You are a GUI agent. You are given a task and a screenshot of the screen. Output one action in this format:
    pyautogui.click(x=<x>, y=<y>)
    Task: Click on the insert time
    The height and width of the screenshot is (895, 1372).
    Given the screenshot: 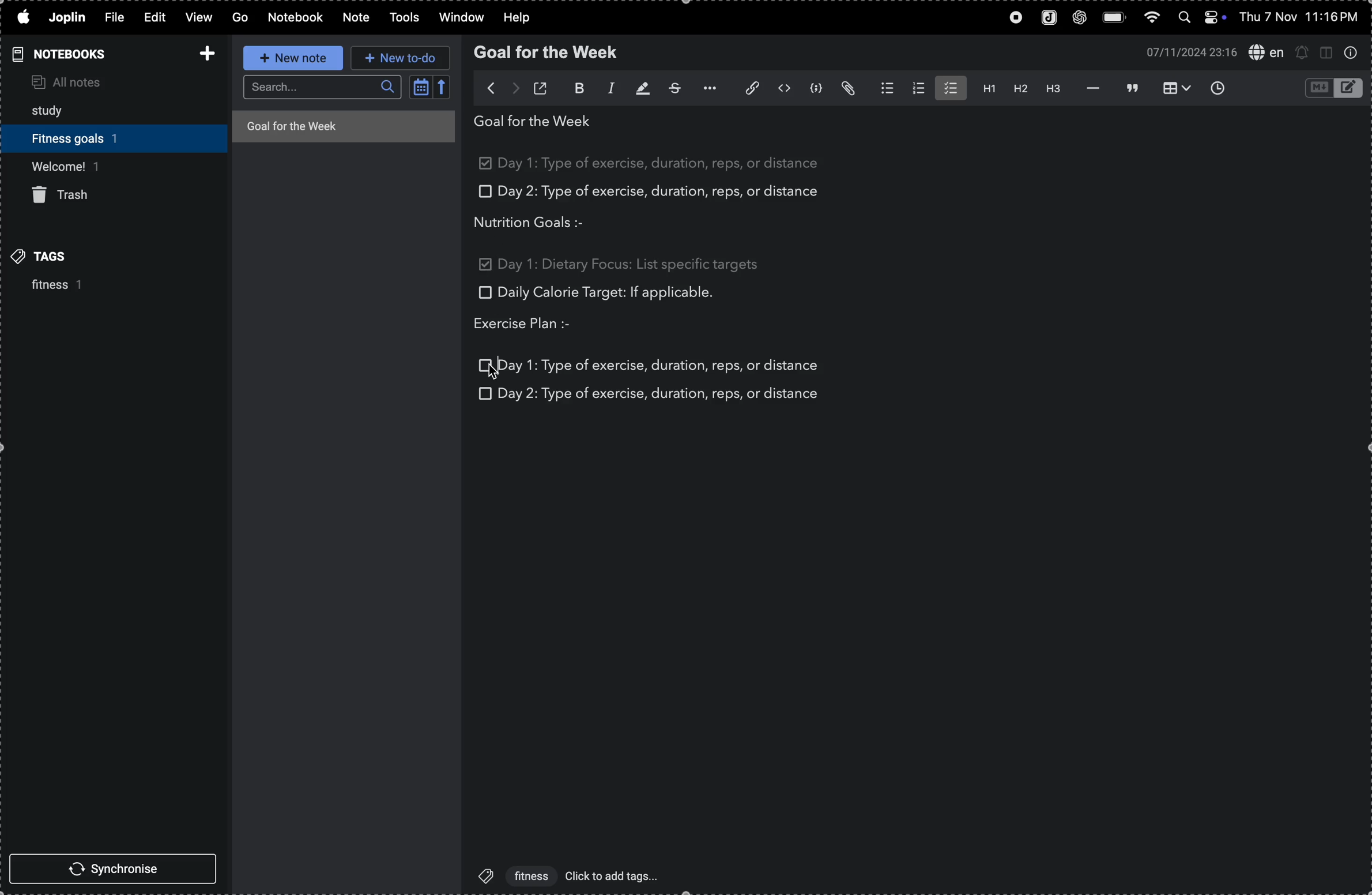 What is the action you would take?
    pyautogui.click(x=1222, y=88)
    